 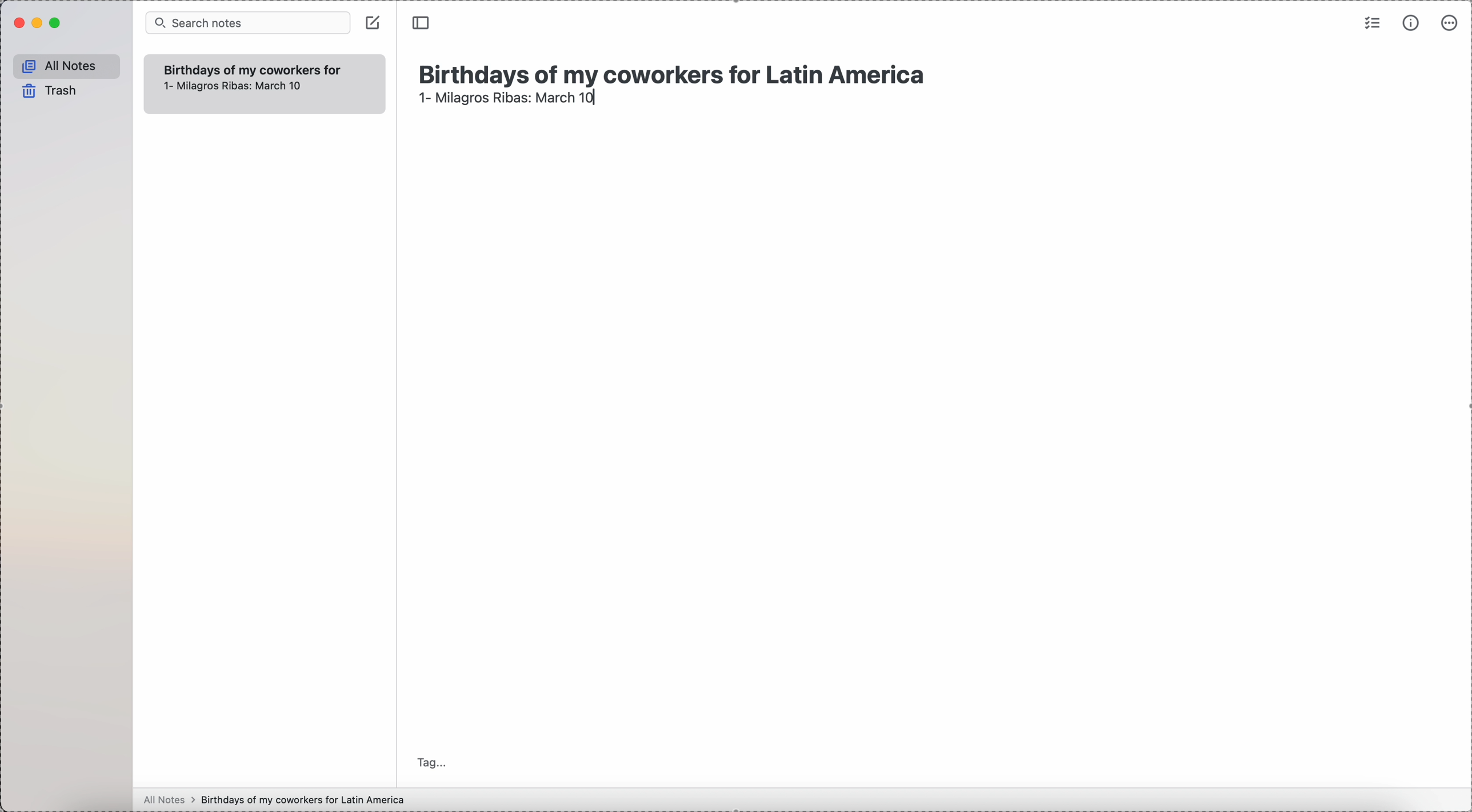 I want to click on minimize Simplenote, so click(x=39, y=24).